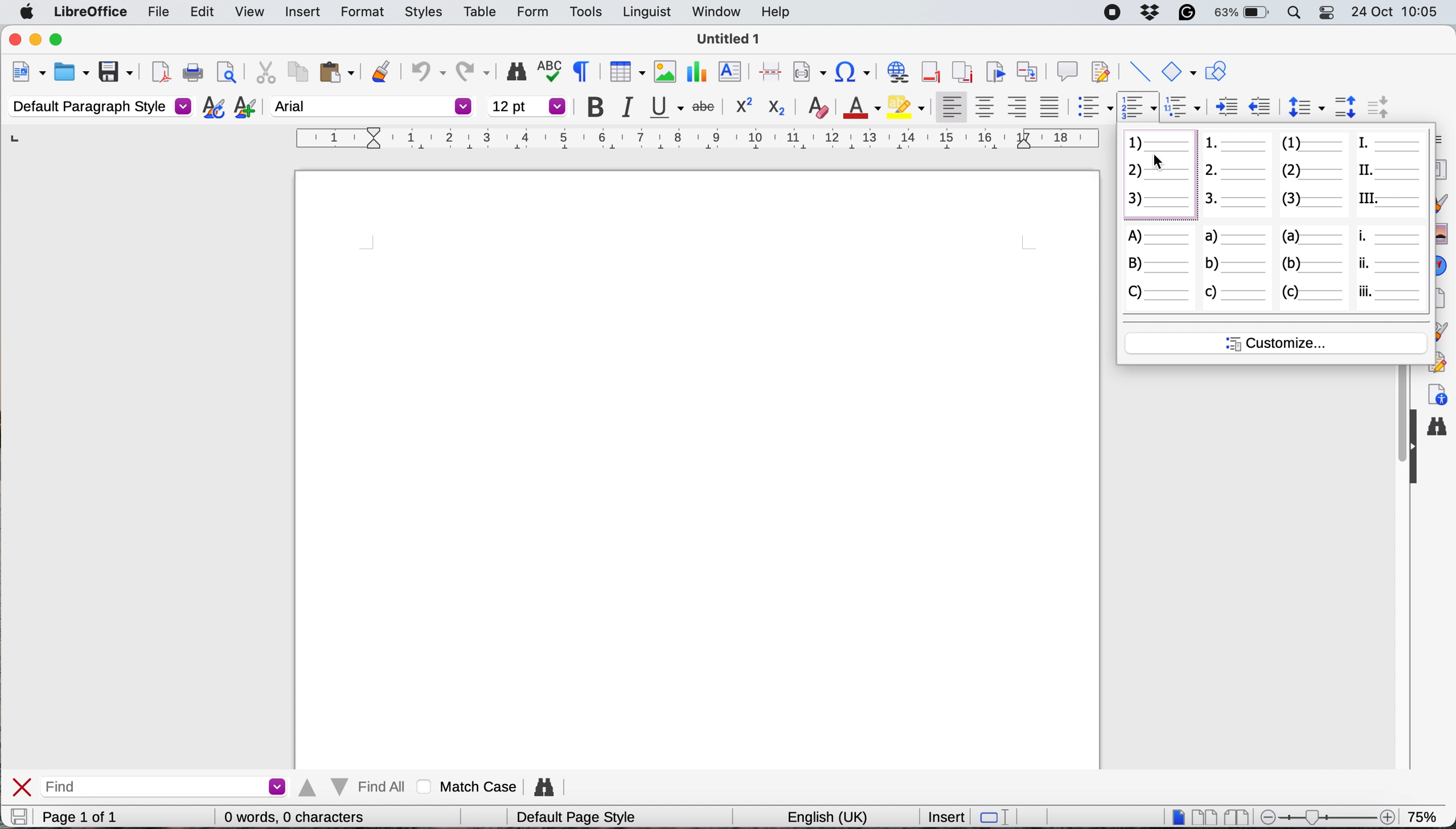  I want to click on default page style, so click(581, 818).